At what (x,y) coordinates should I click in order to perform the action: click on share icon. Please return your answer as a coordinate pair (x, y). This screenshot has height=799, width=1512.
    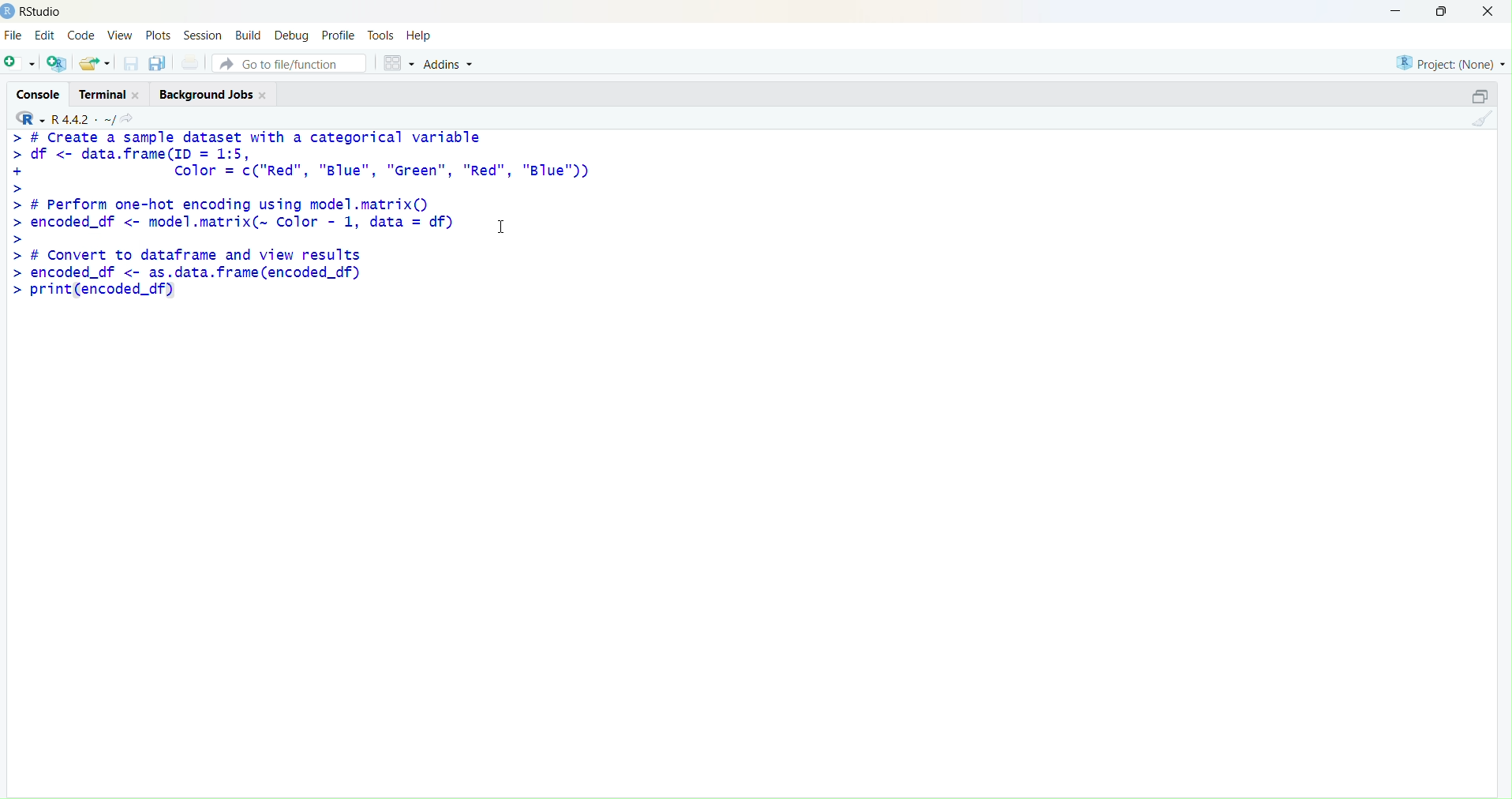
    Looking at the image, I should click on (127, 118).